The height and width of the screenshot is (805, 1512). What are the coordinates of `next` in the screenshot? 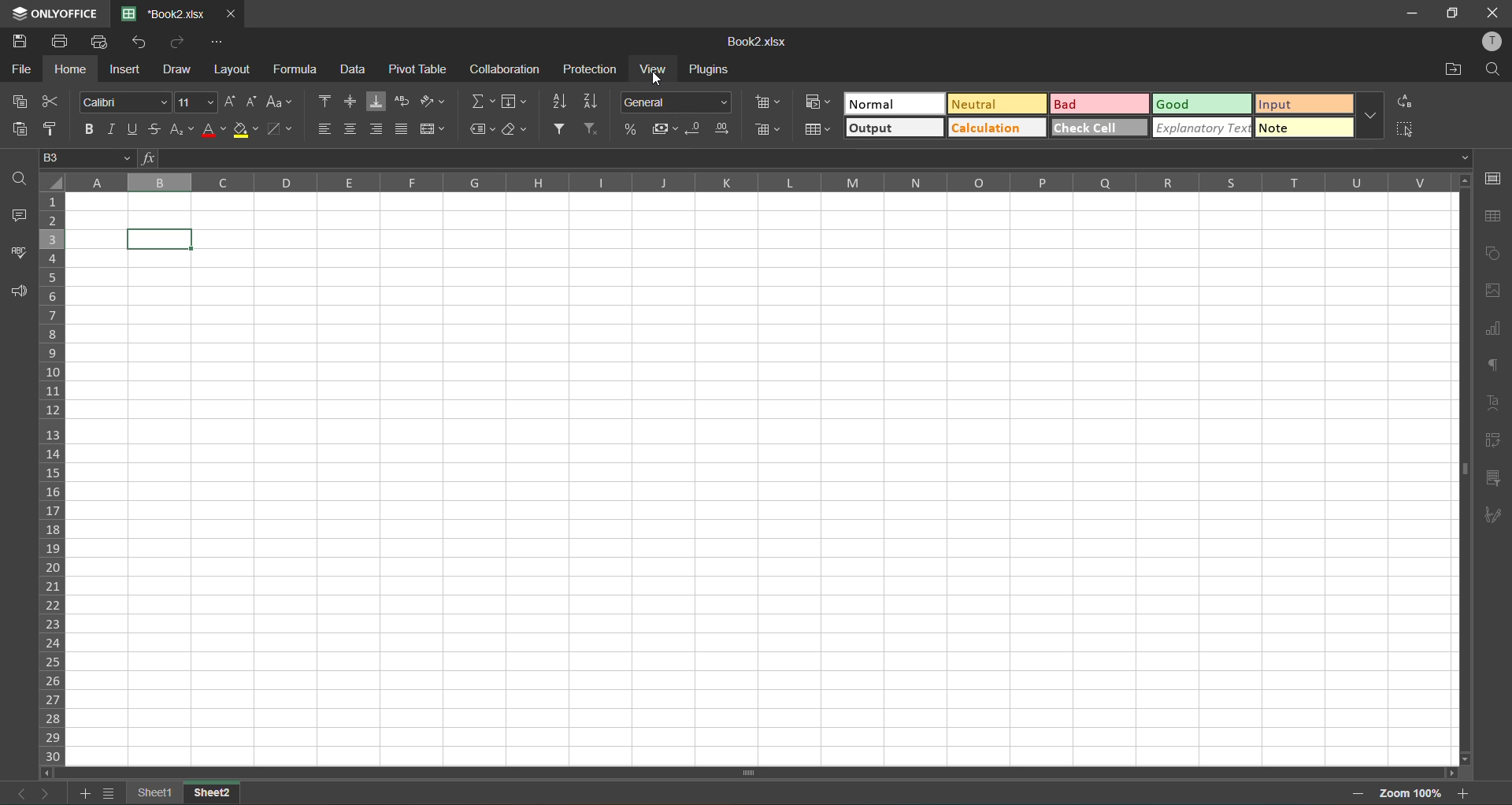 It's located at (43, 792).